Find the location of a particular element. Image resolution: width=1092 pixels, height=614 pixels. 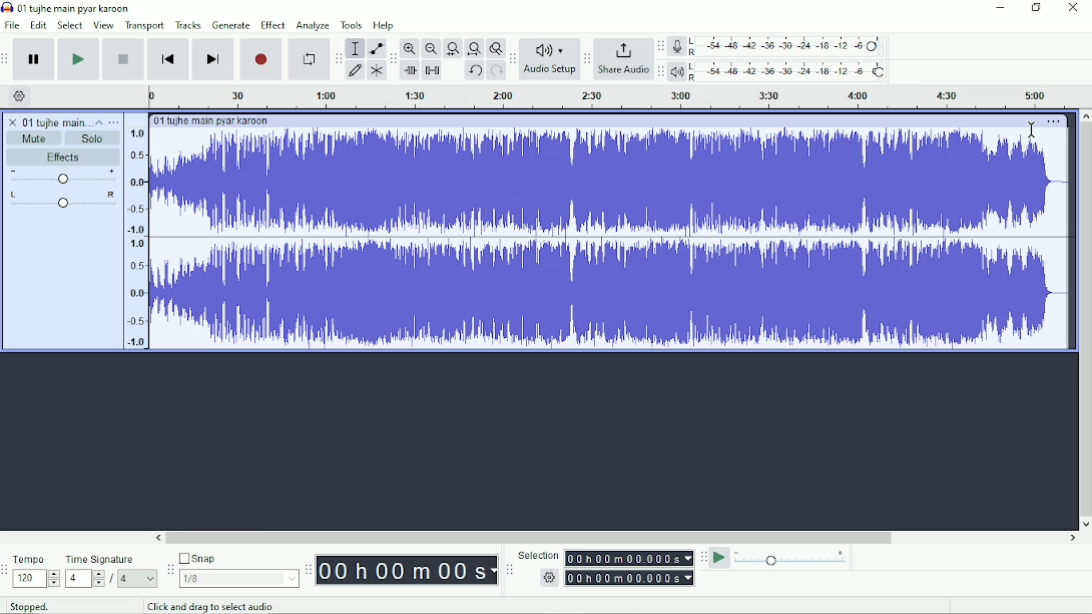

Record is located at coordinates (262, 60).